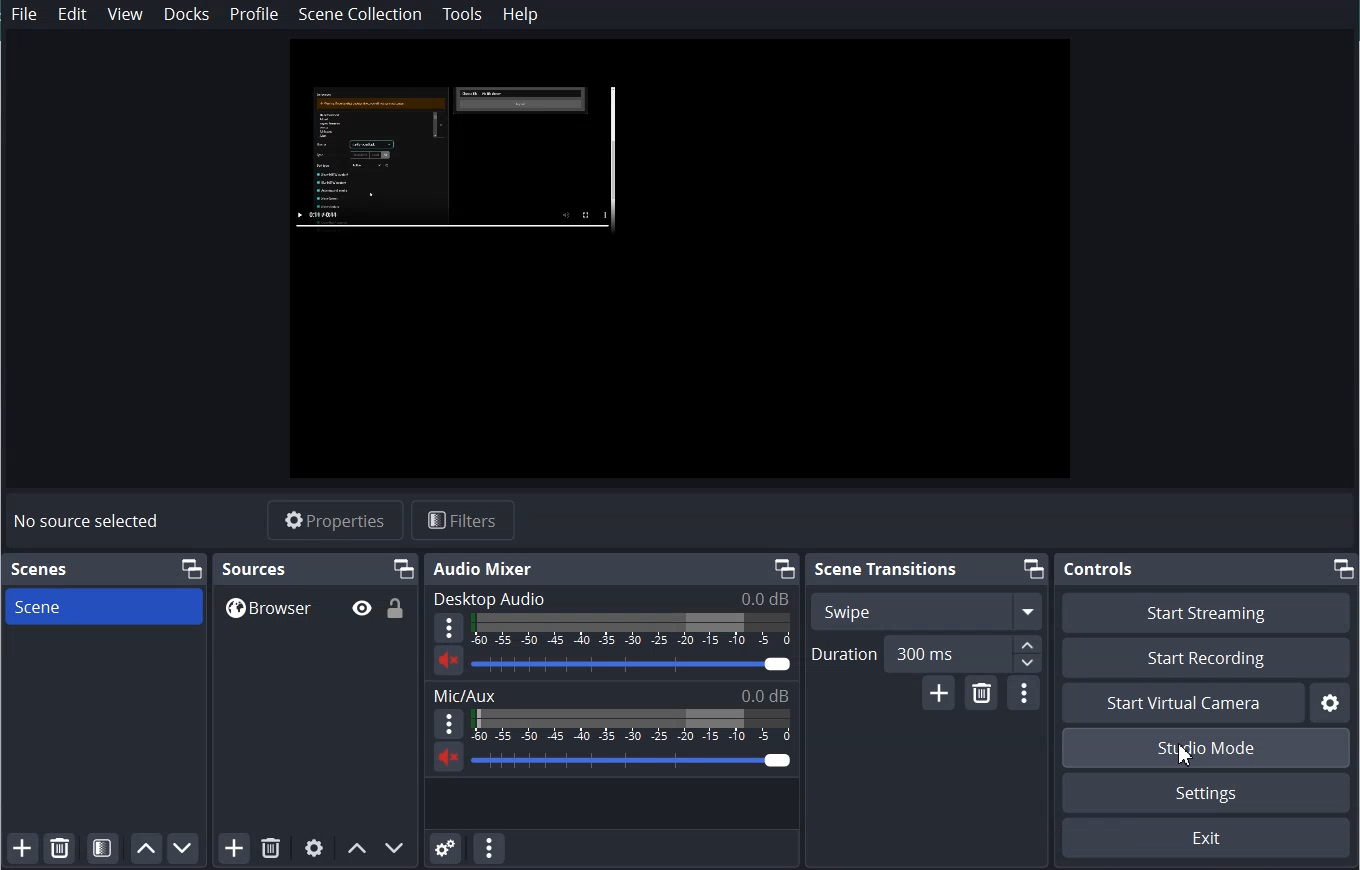 The width and height of the screenshot is (1360, 870). What do you see at coordinates (103, 606) in the screenshot?
I see `Scene` at bounding box center [103, 606].